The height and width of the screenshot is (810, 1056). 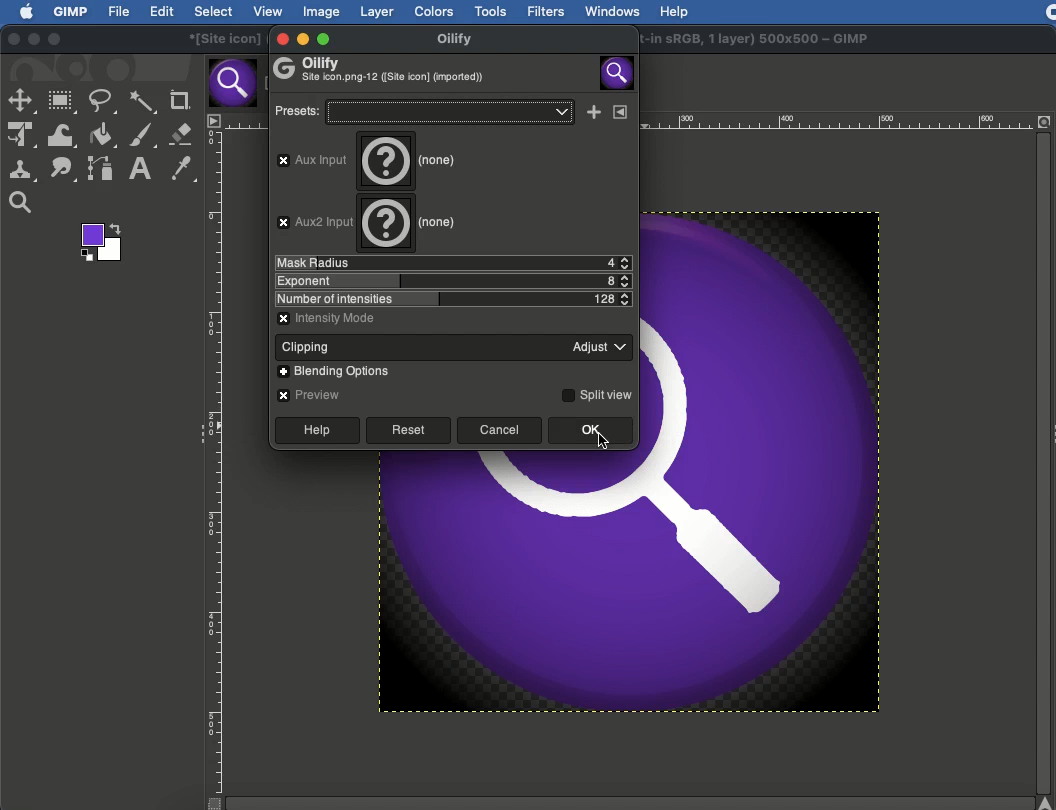 I want to click on Reset, so click(x=409, y=430).